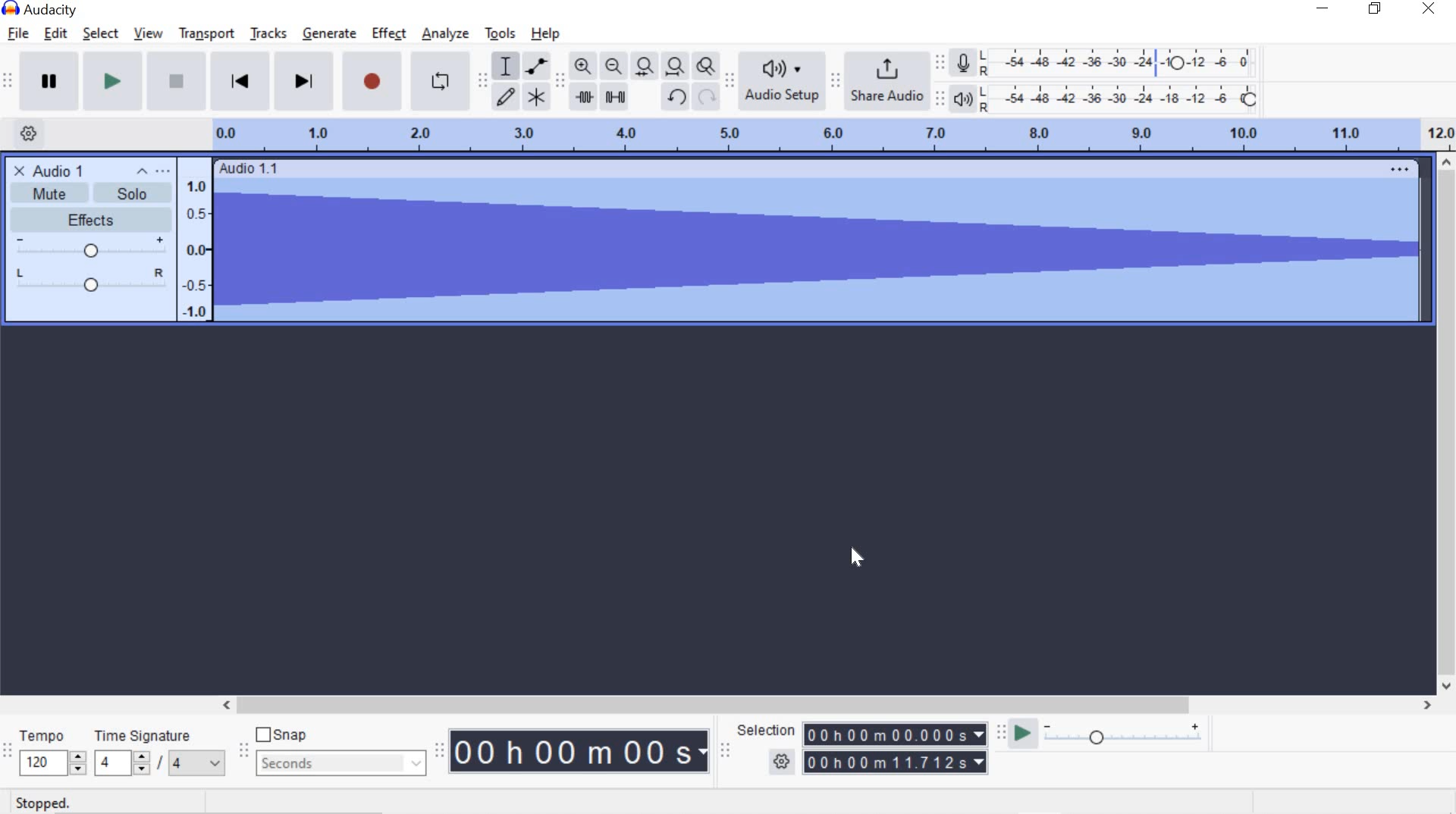  Describe the element at coordinates (941, 101) in the screenshot. I see `Playback meter toolbar` at that location.